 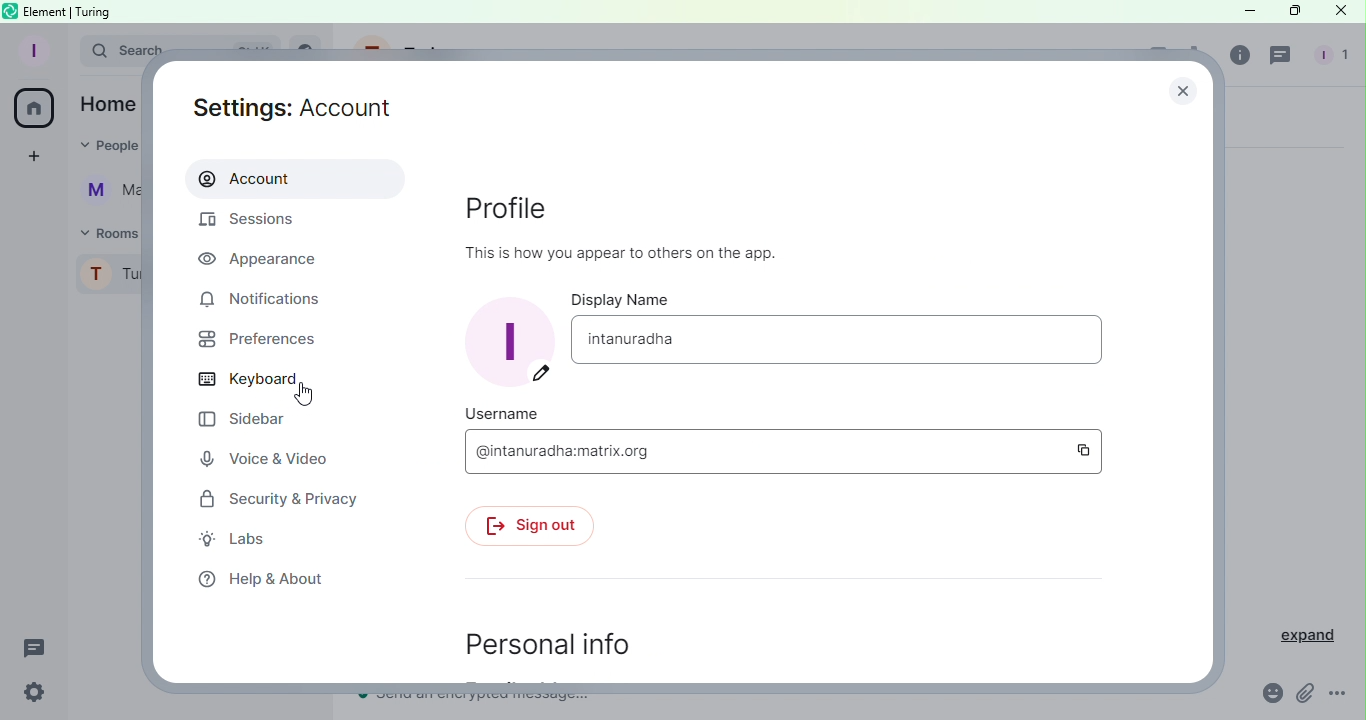 I want to click on Notifications, so click(x=282, y=298).